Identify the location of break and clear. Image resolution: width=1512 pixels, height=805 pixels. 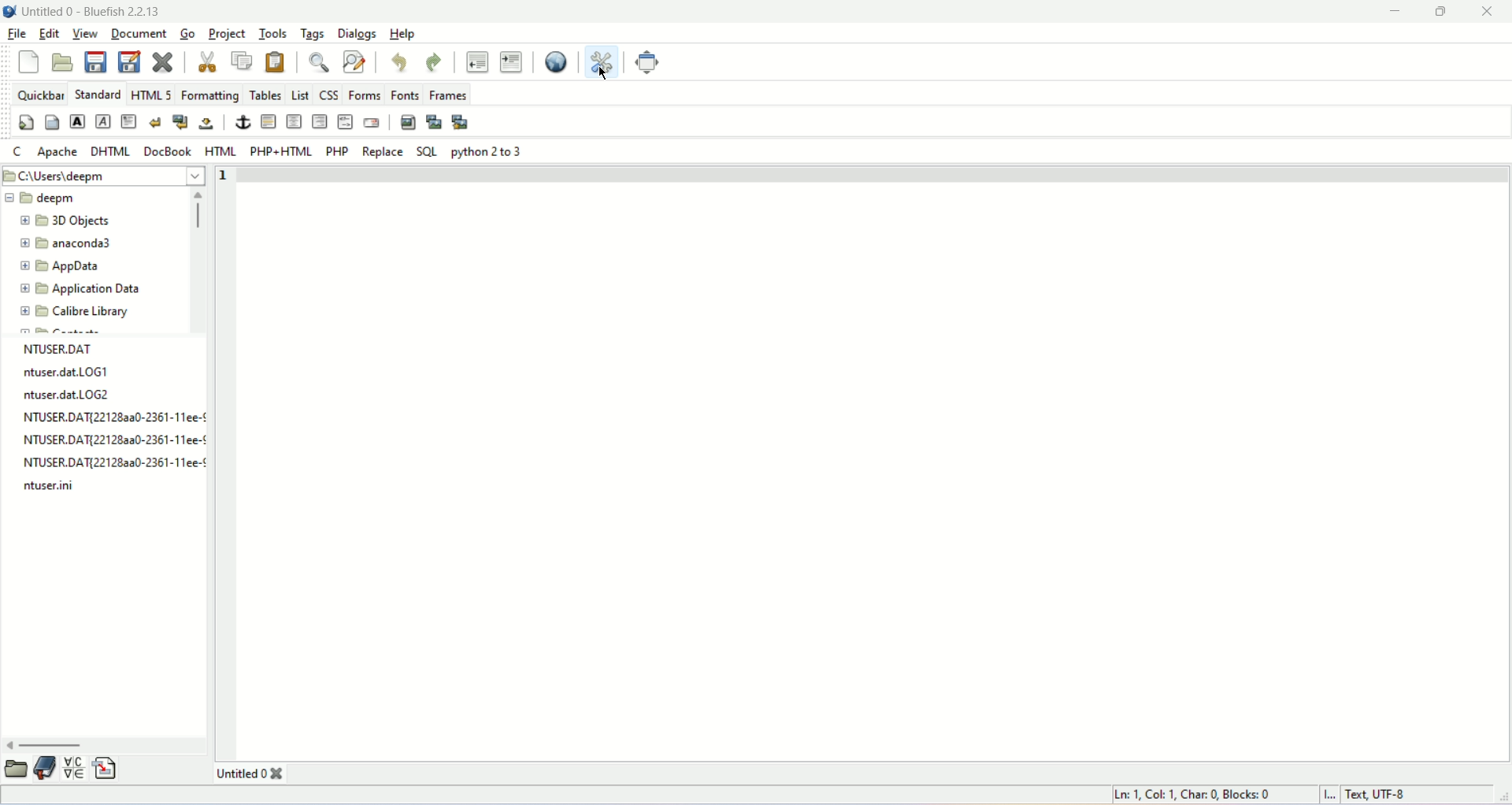
(180, 122).